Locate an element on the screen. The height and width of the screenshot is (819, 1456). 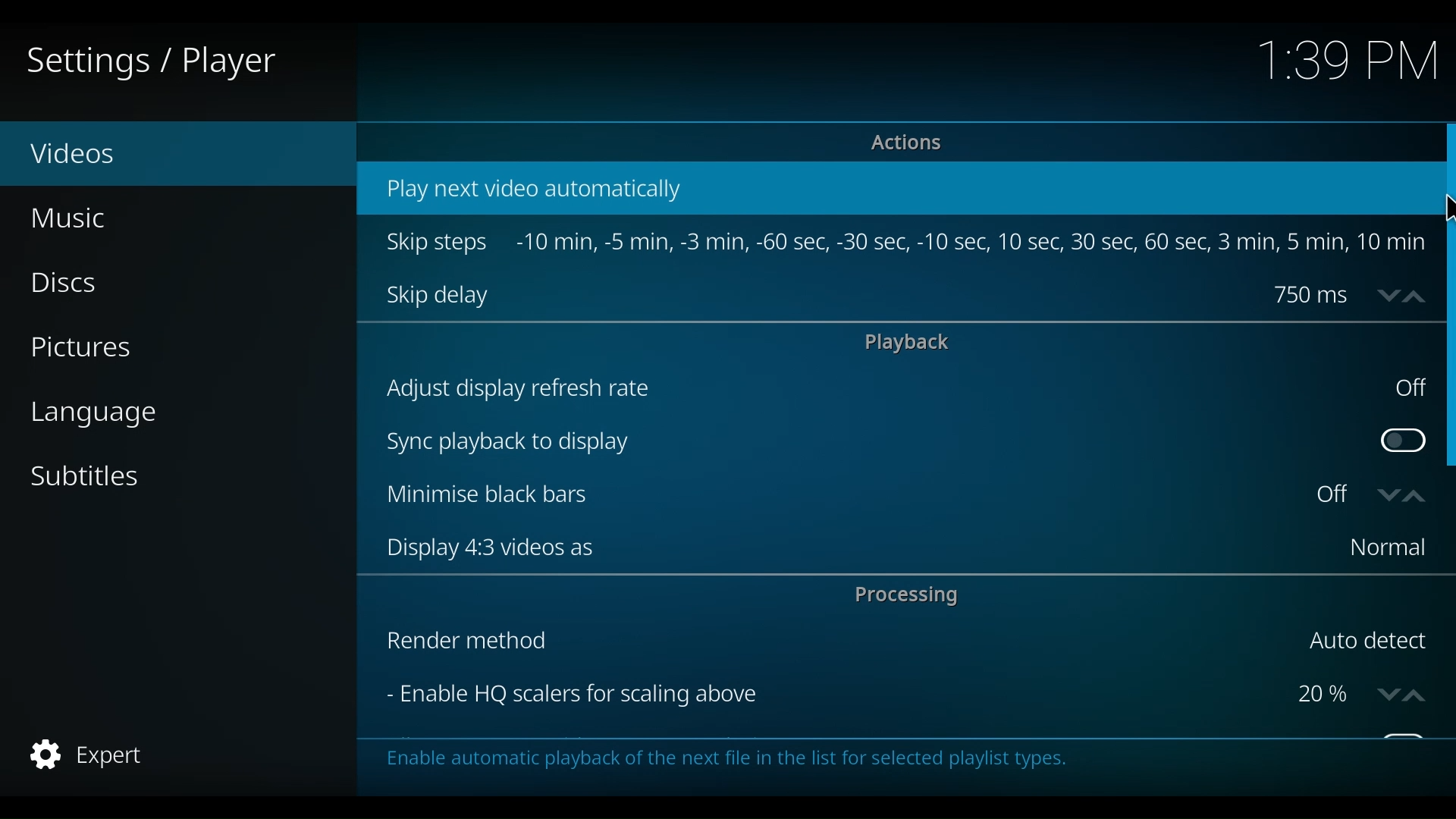
Auto detect is located at coordinates (1368, 642).